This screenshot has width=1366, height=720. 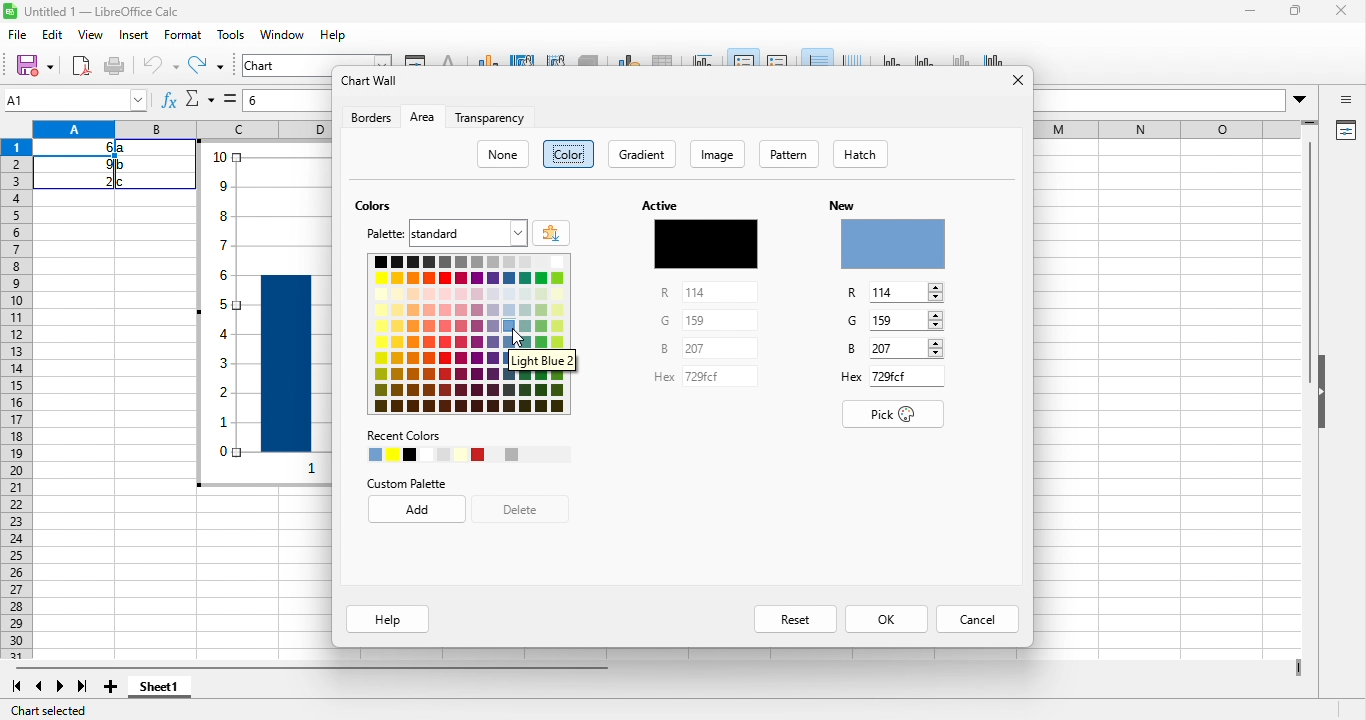 I want to click on colors, so click(x=379, y=206).